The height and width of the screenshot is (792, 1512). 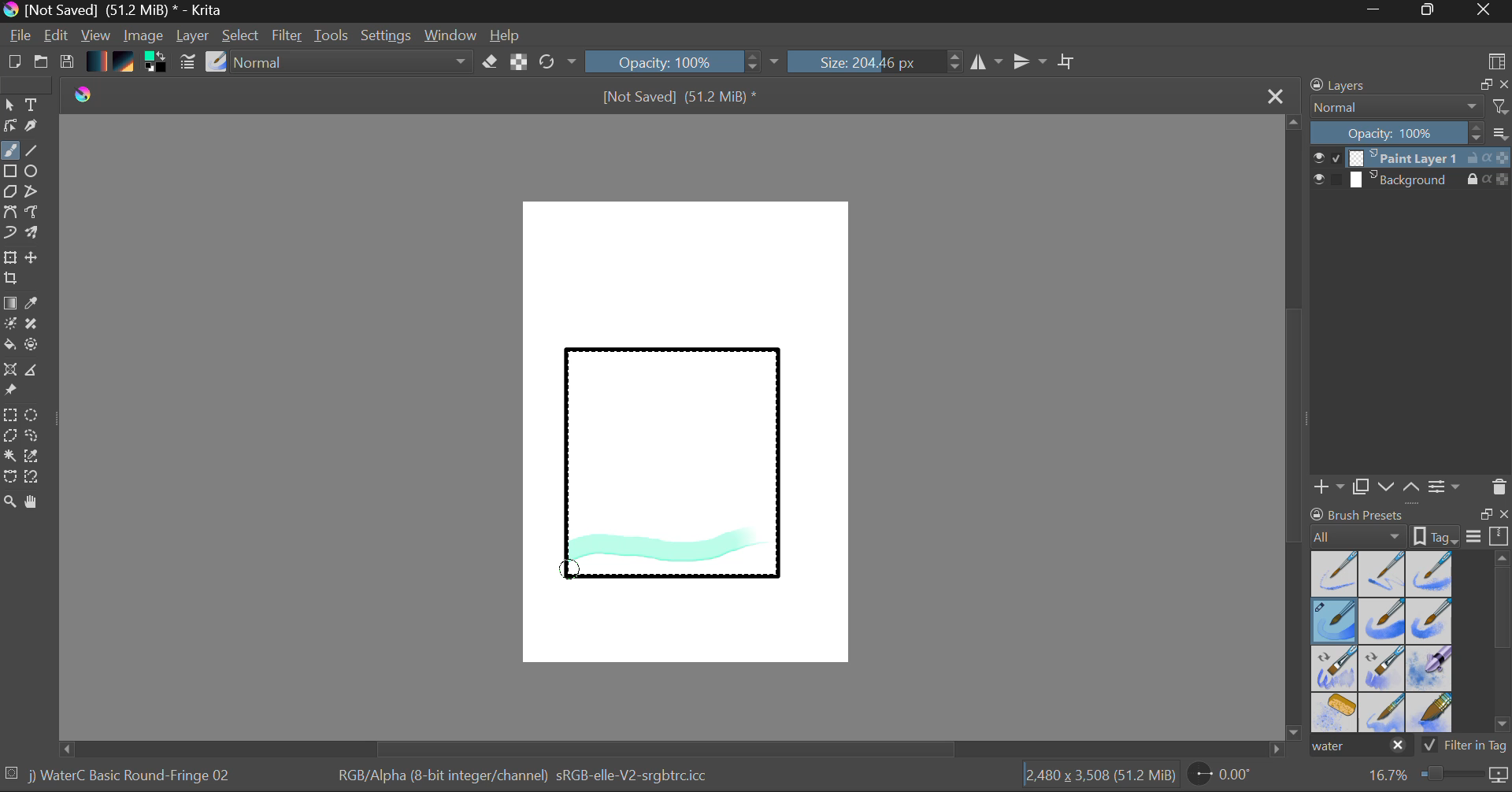 I want to click on Polygon Selection Tool, so click(x=9, y=436).